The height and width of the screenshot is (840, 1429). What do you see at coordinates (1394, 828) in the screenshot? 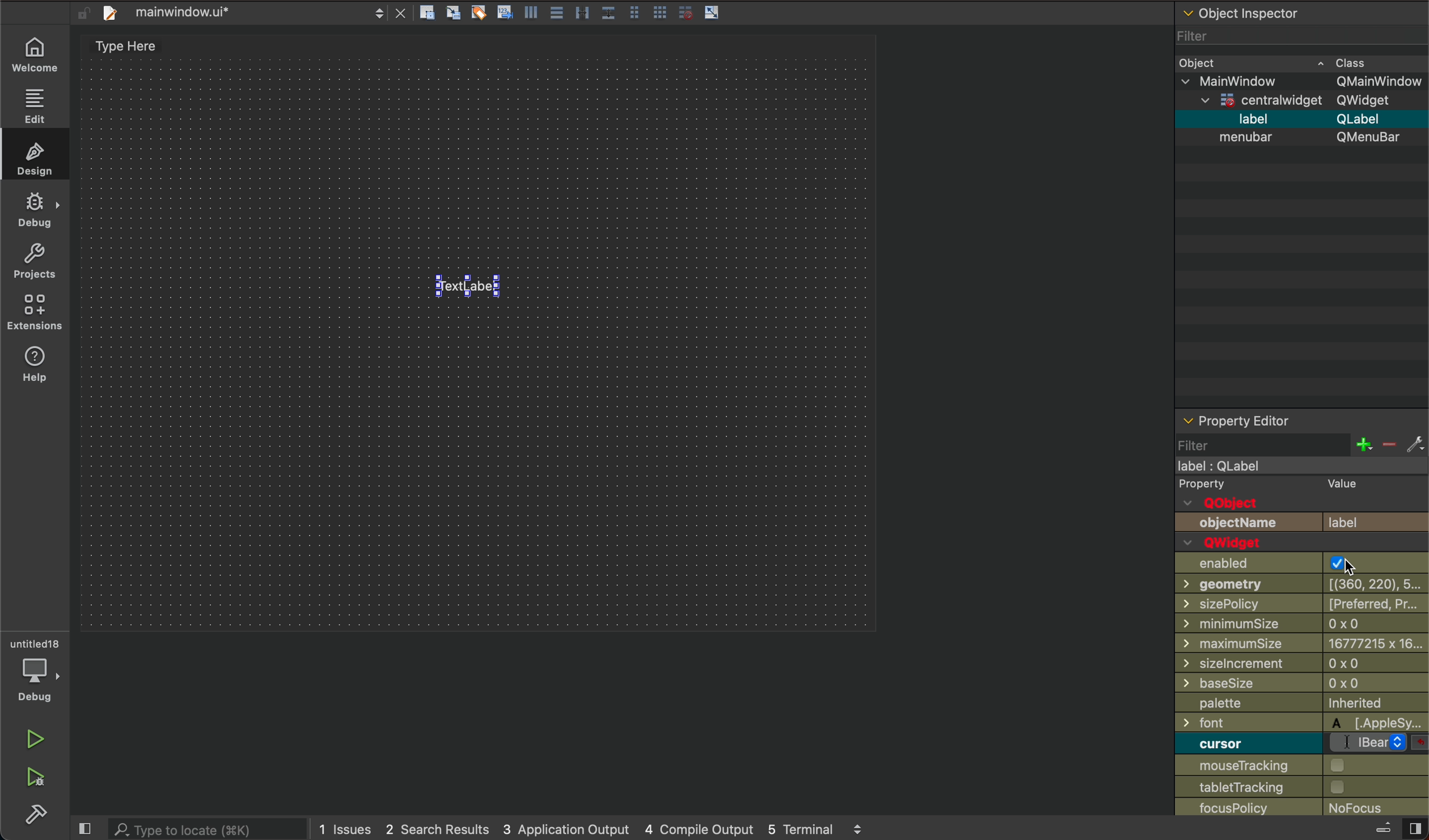
I see `close slidebar` at bounding box center [1394, 828].